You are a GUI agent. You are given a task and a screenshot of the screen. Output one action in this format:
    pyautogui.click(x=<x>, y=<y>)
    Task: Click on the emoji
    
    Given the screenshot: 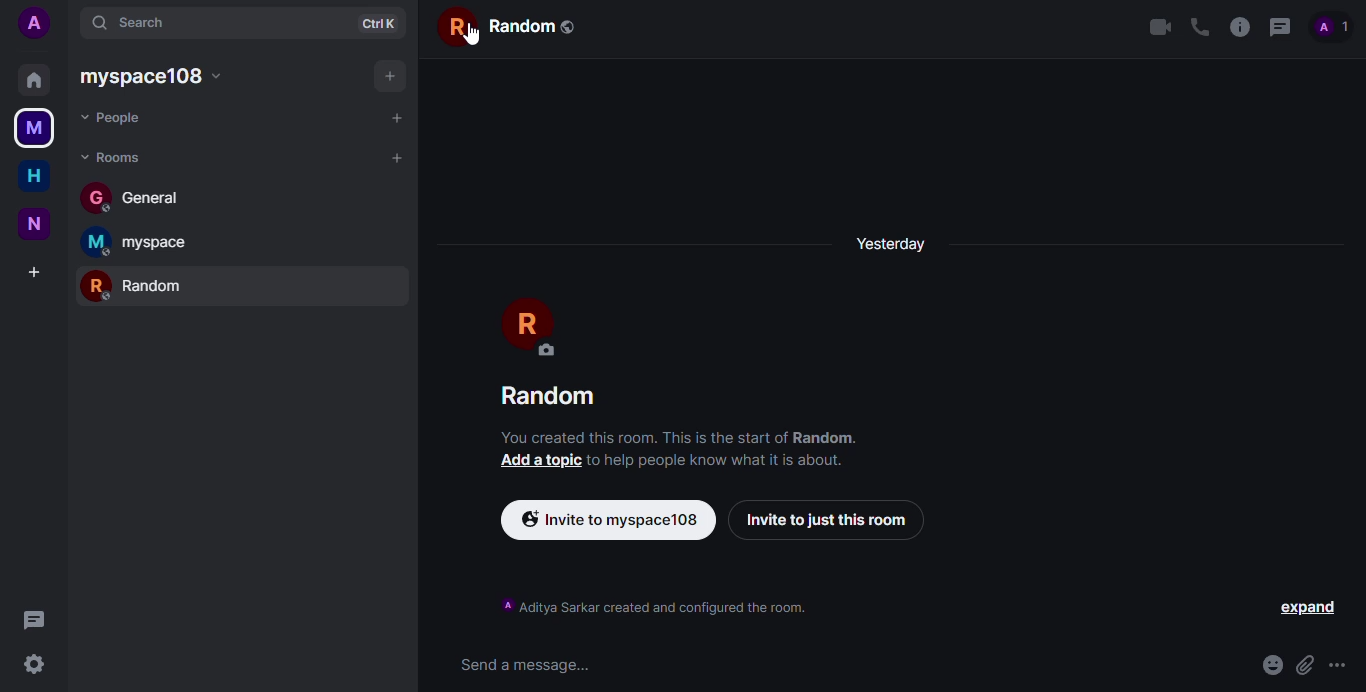 What is the action you would take?
    pyautogui.click(x=1264, y=660)
    